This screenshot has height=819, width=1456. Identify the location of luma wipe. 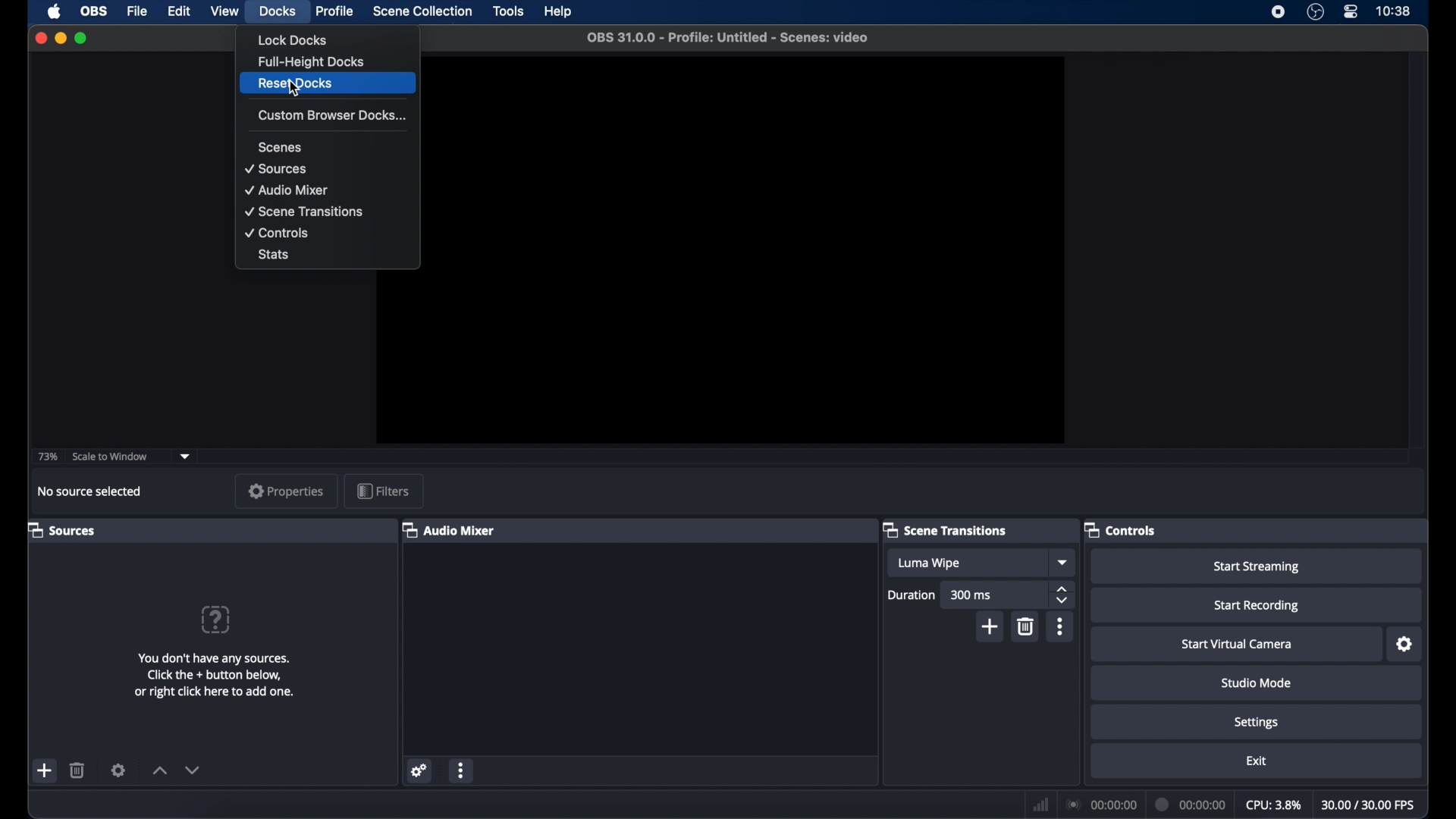
(930, 563).